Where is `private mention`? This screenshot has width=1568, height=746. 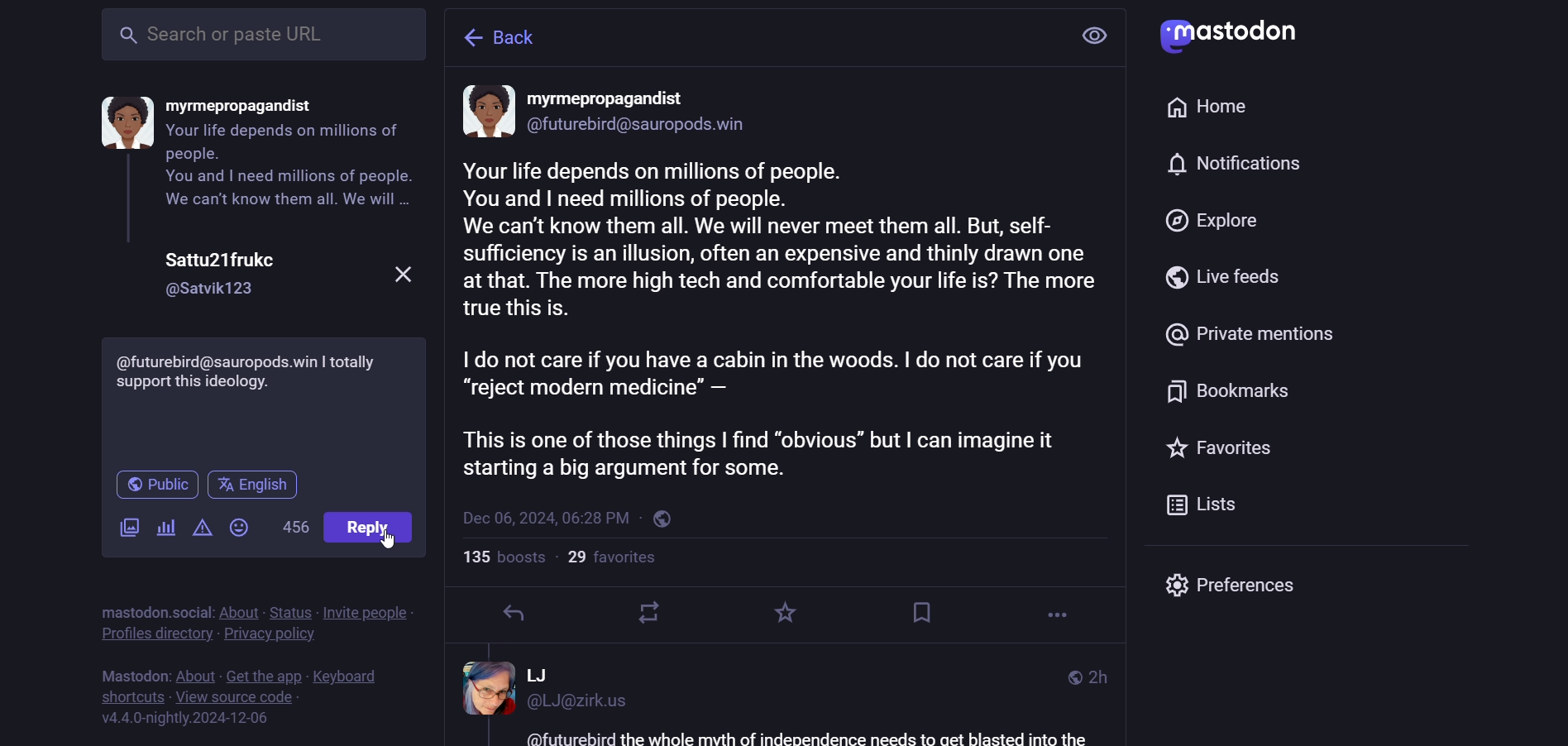 private mention is located at coordinates (1246, 336).